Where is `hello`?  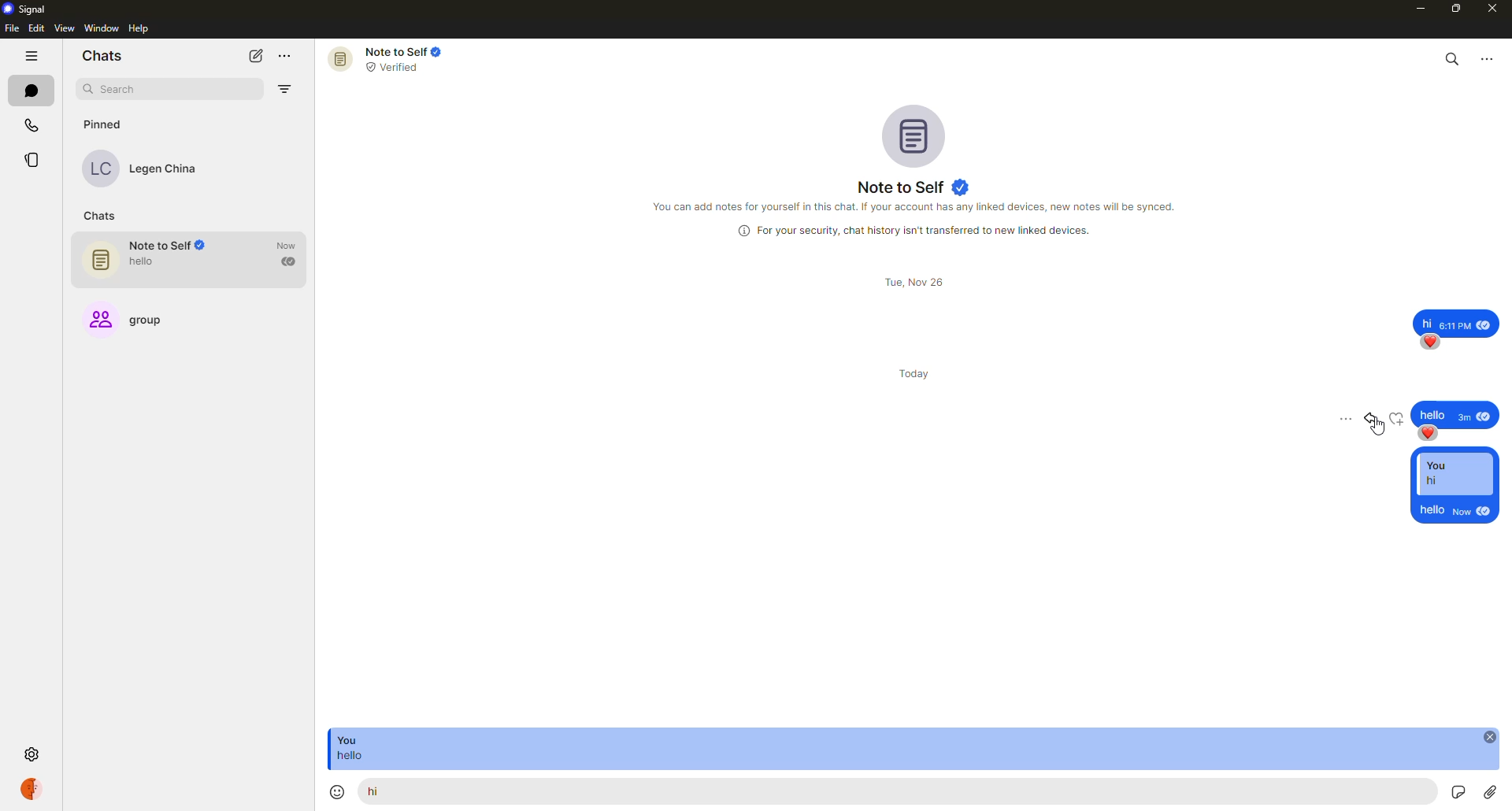
hello is located at coordinates (407, 791).